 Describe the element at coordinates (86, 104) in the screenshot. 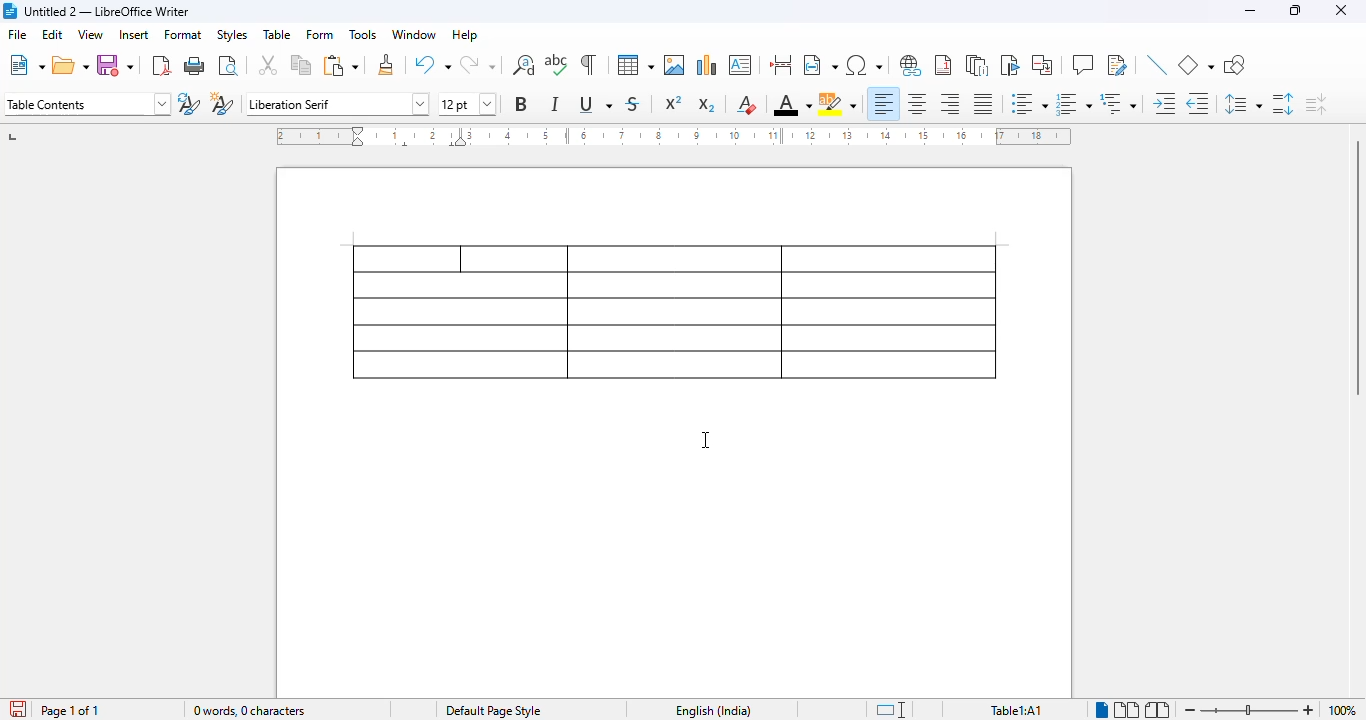

I see `set paragraph style` at that location.